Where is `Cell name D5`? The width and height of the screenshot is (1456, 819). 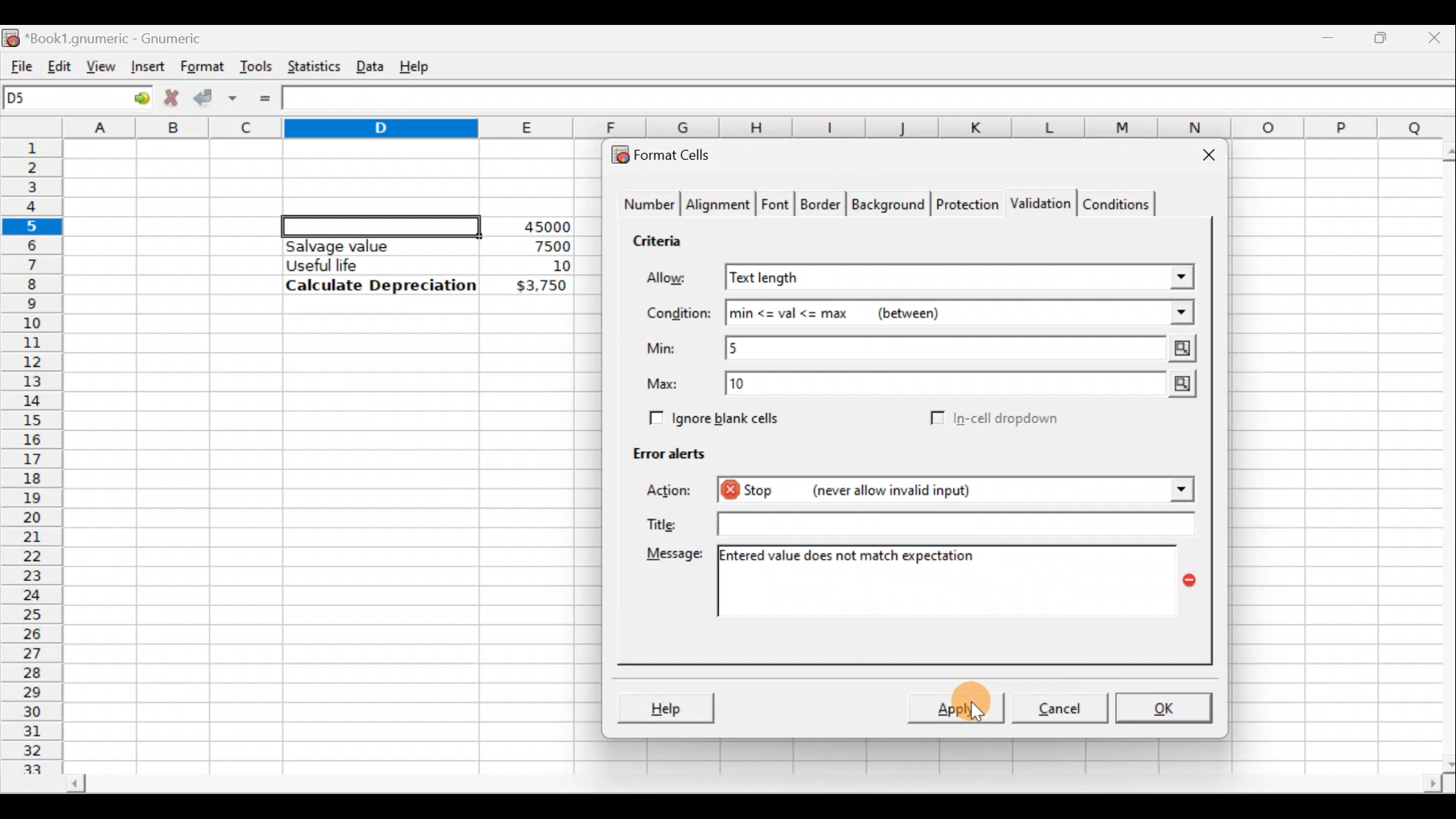 Cell name D5 is located at coordinates (59, 99).